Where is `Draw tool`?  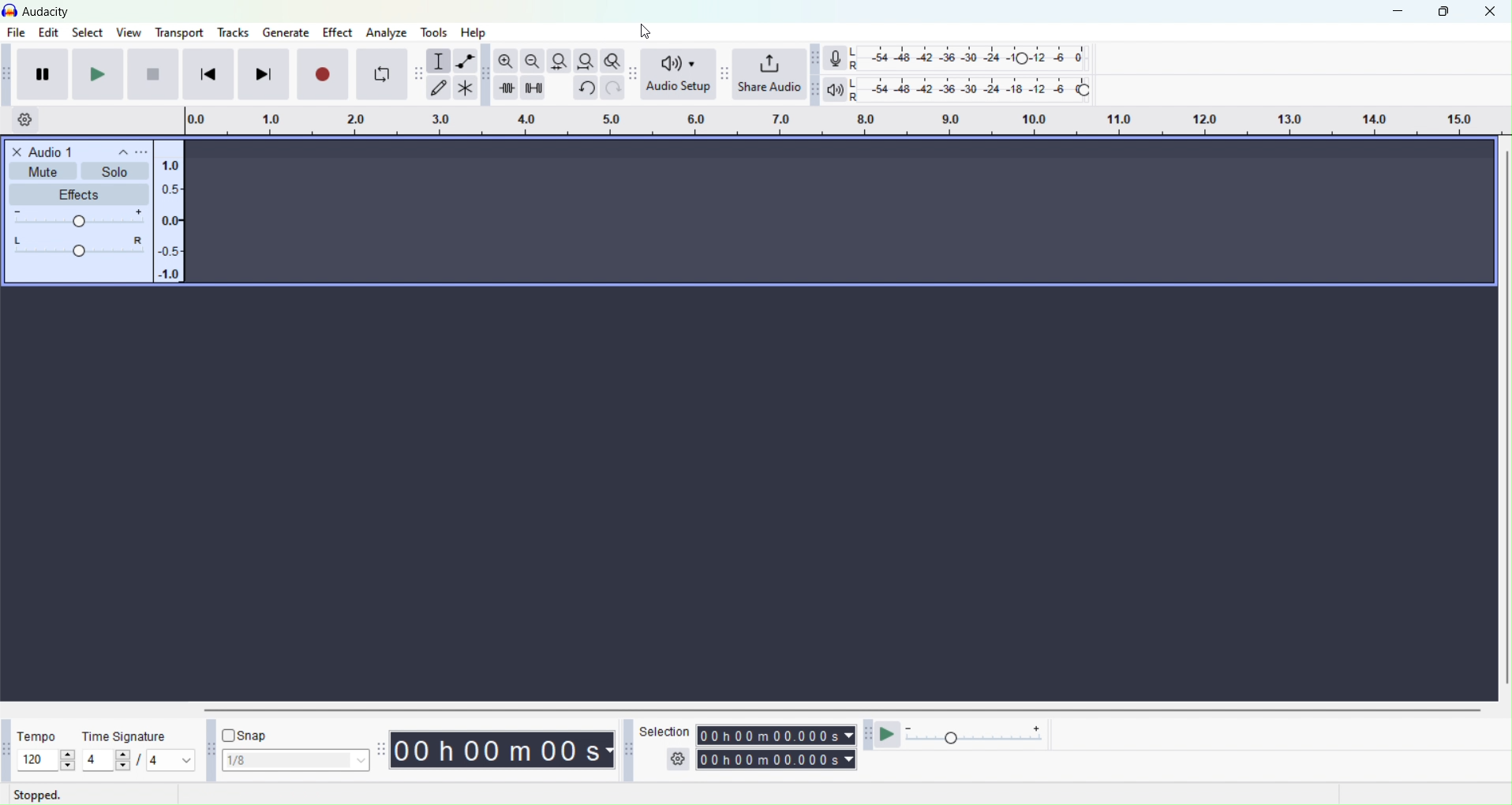
Draw tool is located at coordinates (437, 87).